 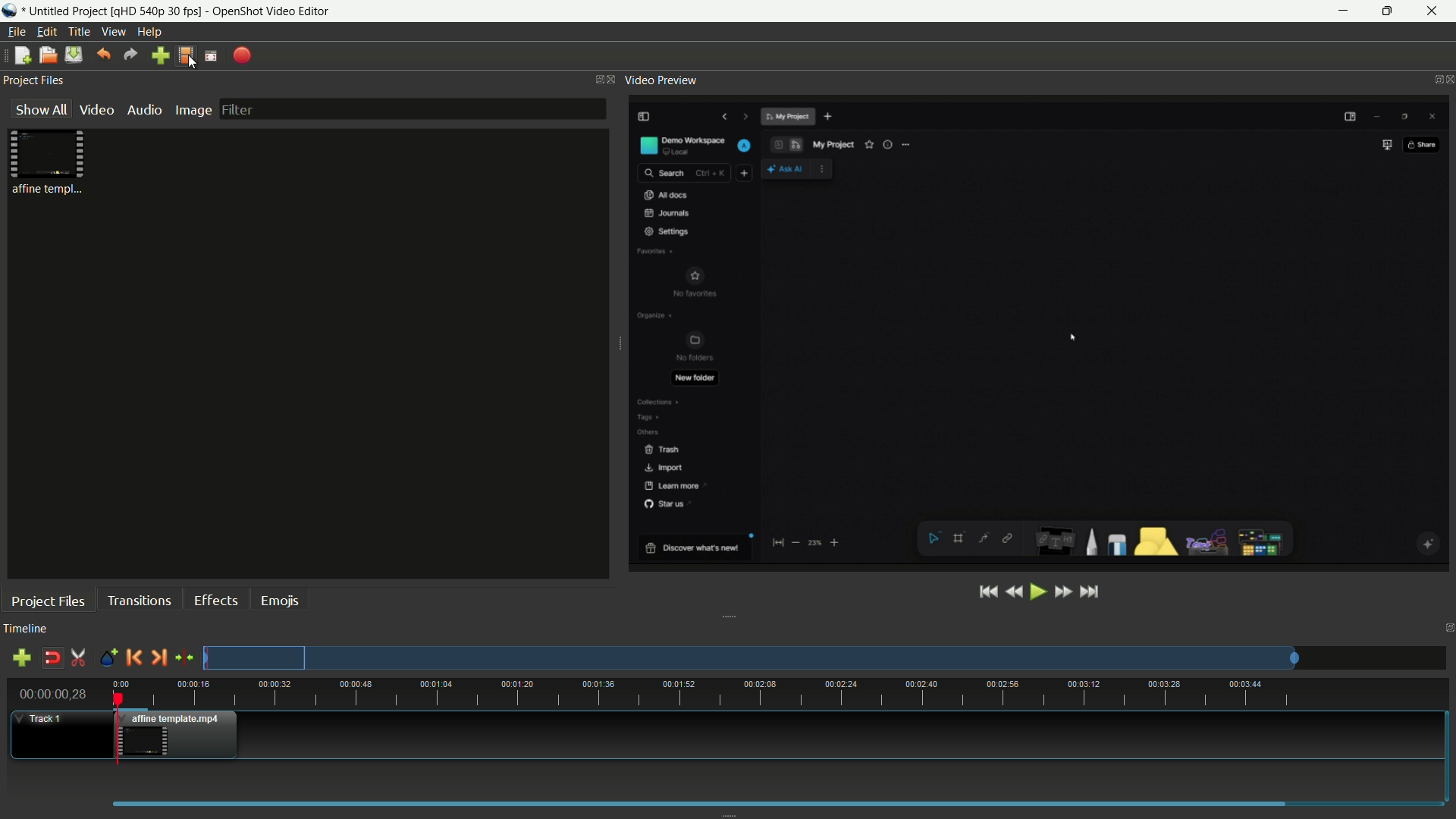 What do you see at coordinates (180, 735) in the screenshot?
I see `video in timeline` at bounding box center [180, 735].